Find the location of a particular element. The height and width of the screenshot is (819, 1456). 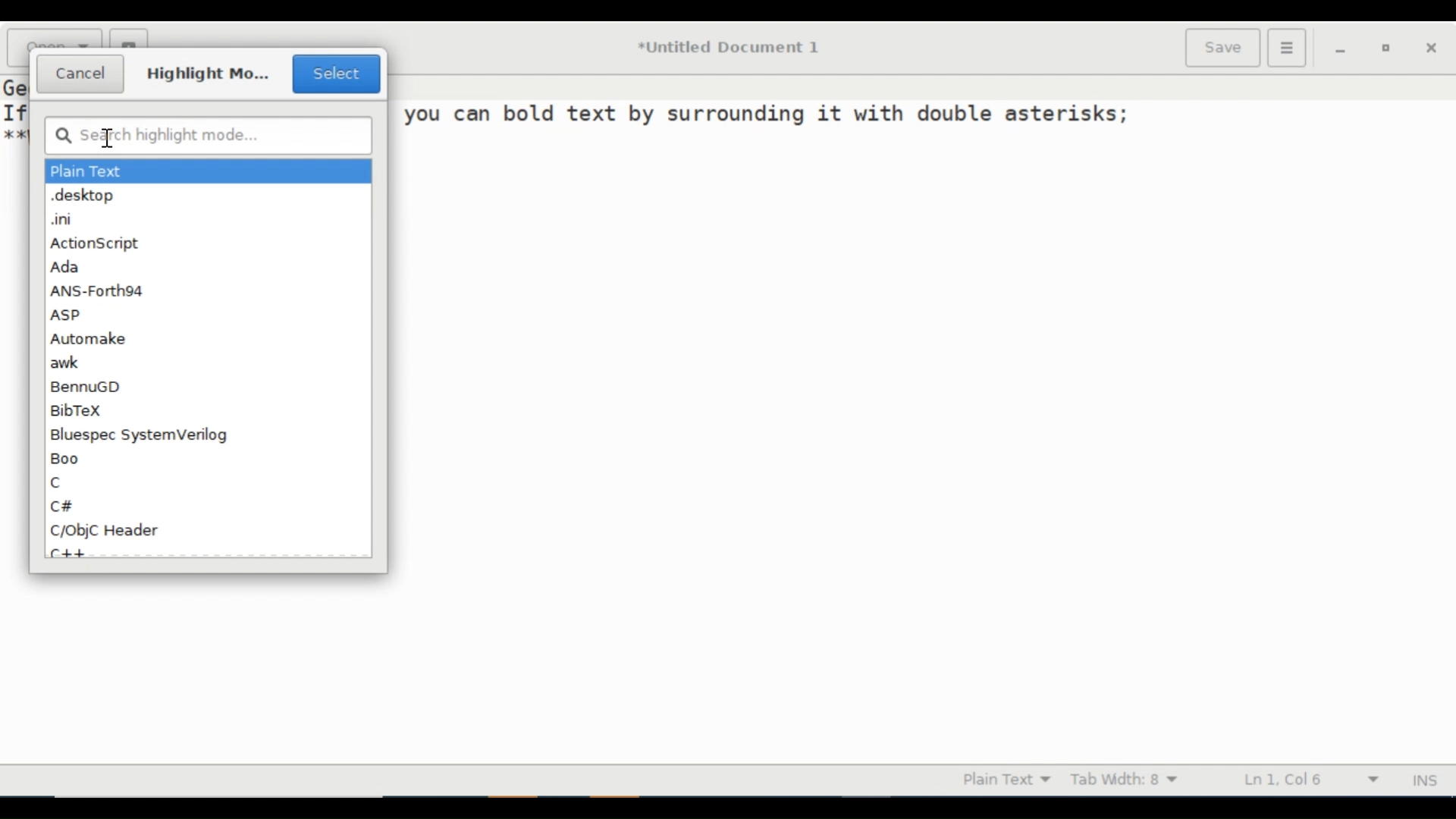

*Untitled Document 1 is located at coordinates (730, 47).